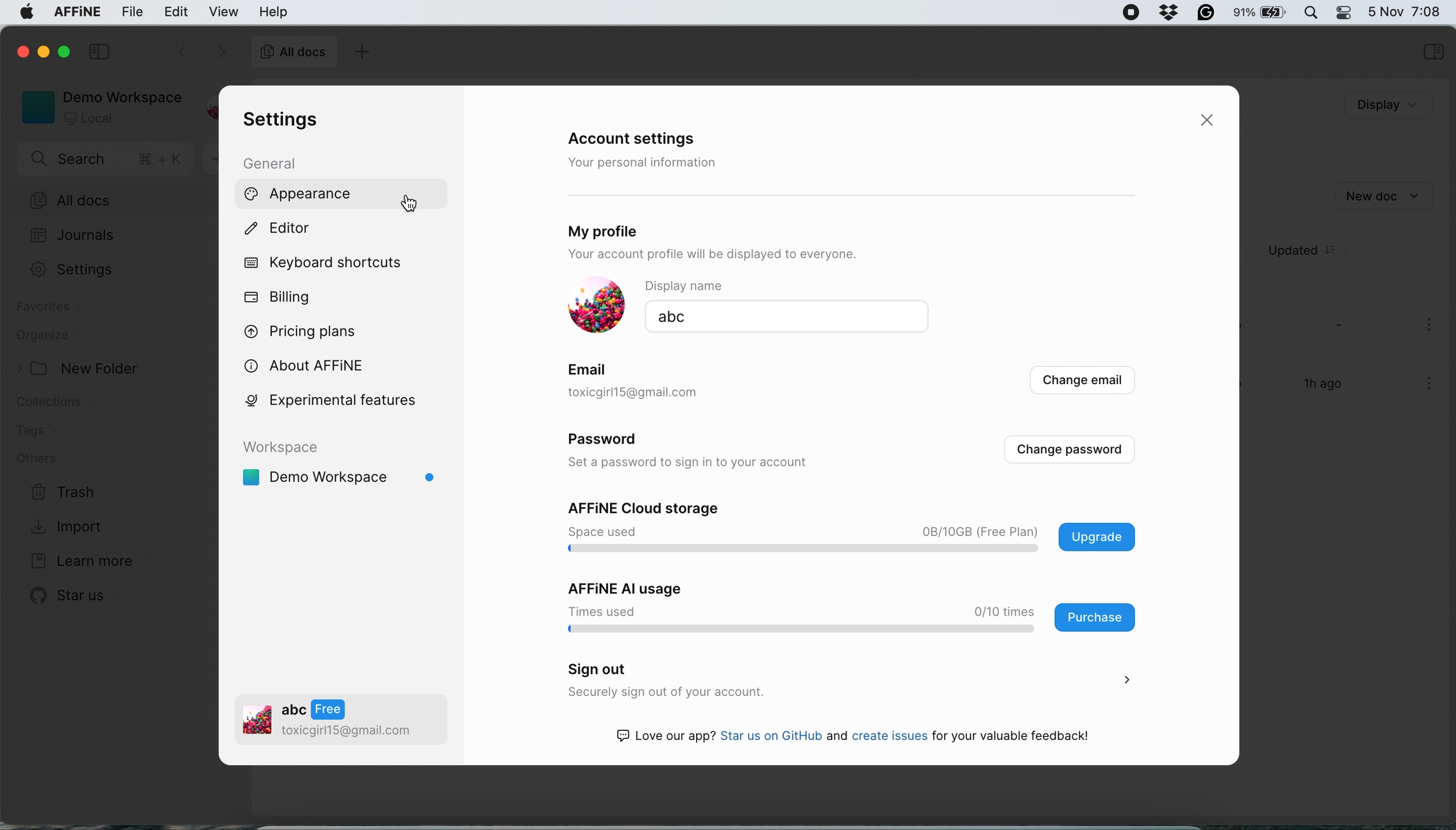 This screenshot has width=1456, height=830. Describe the element at coordinates (79, 559) in the screenshot. I see `learn more` at that location.